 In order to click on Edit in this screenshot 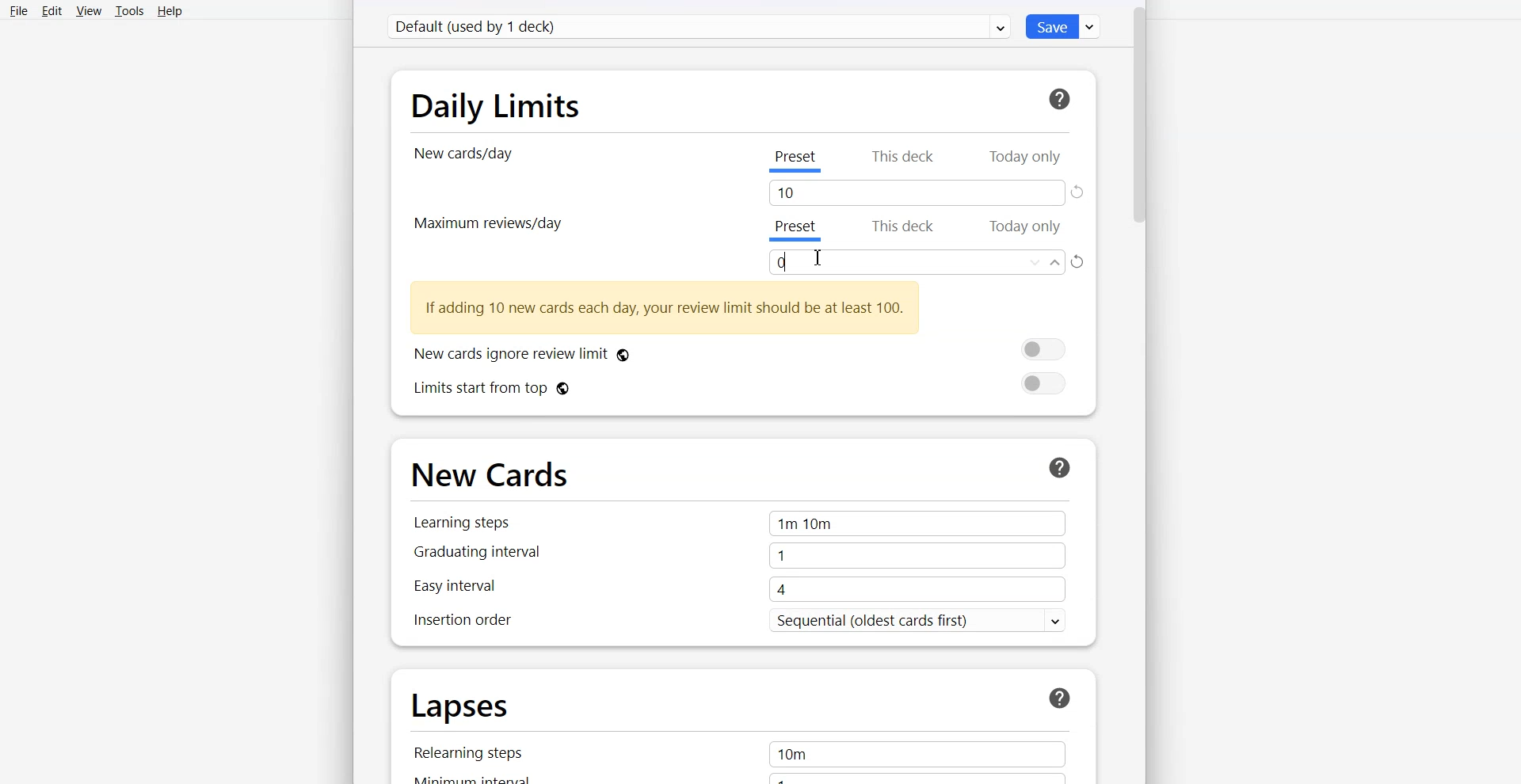, I will do `click(50, 11)`.